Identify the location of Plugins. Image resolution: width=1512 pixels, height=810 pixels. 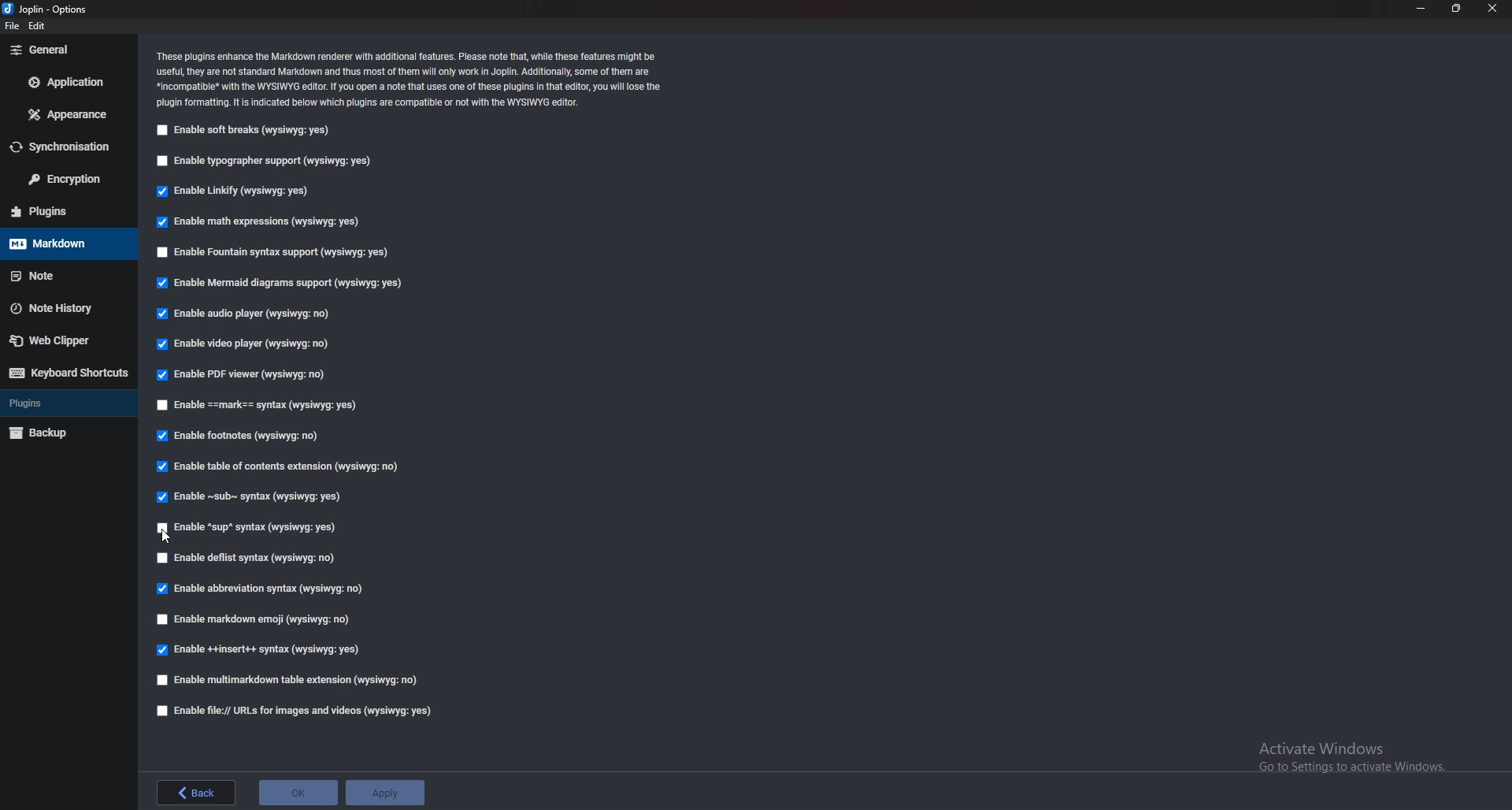
(61, 211).